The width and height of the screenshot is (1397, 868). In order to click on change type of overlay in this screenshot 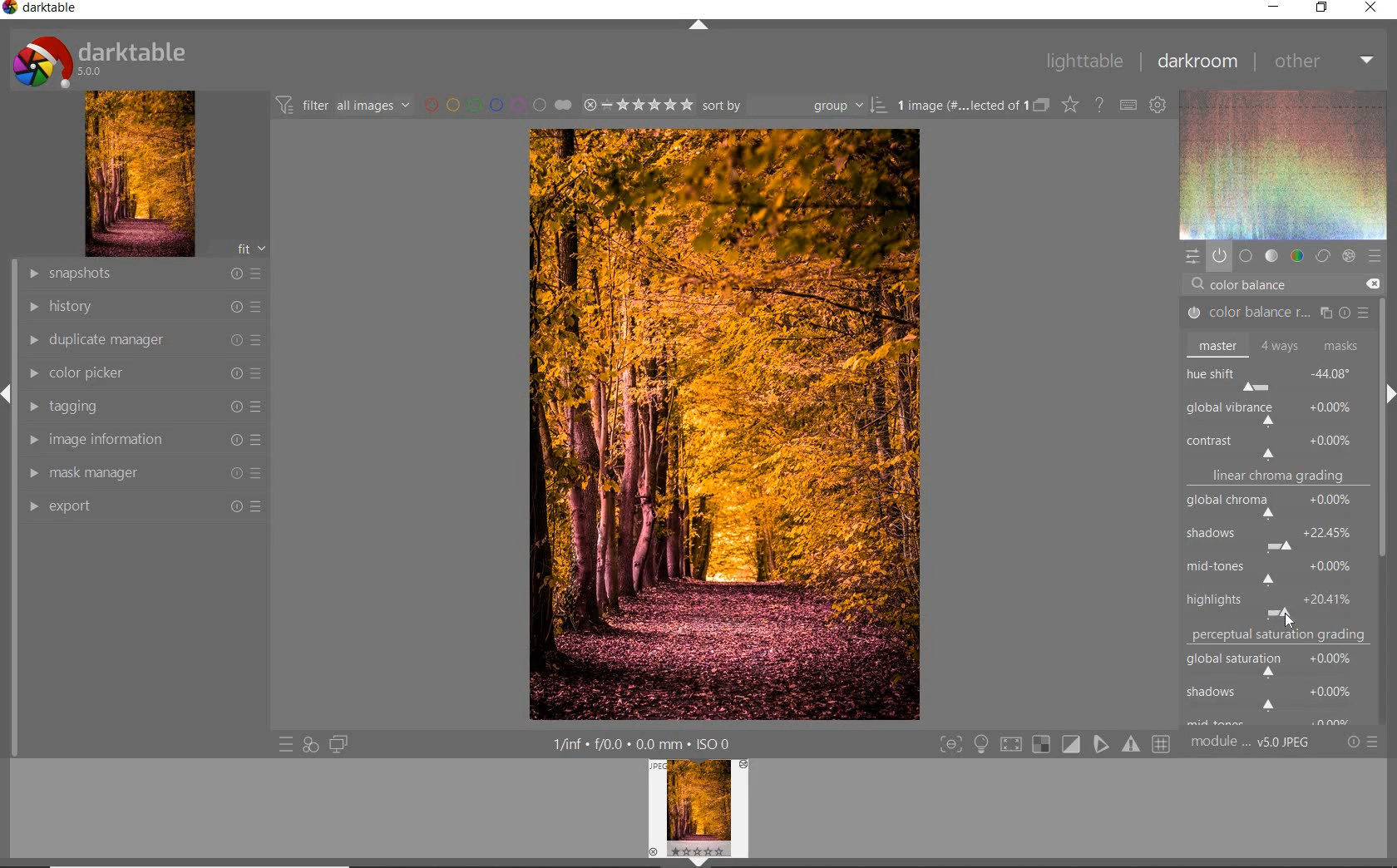, I will do `click(1069, 106)`.